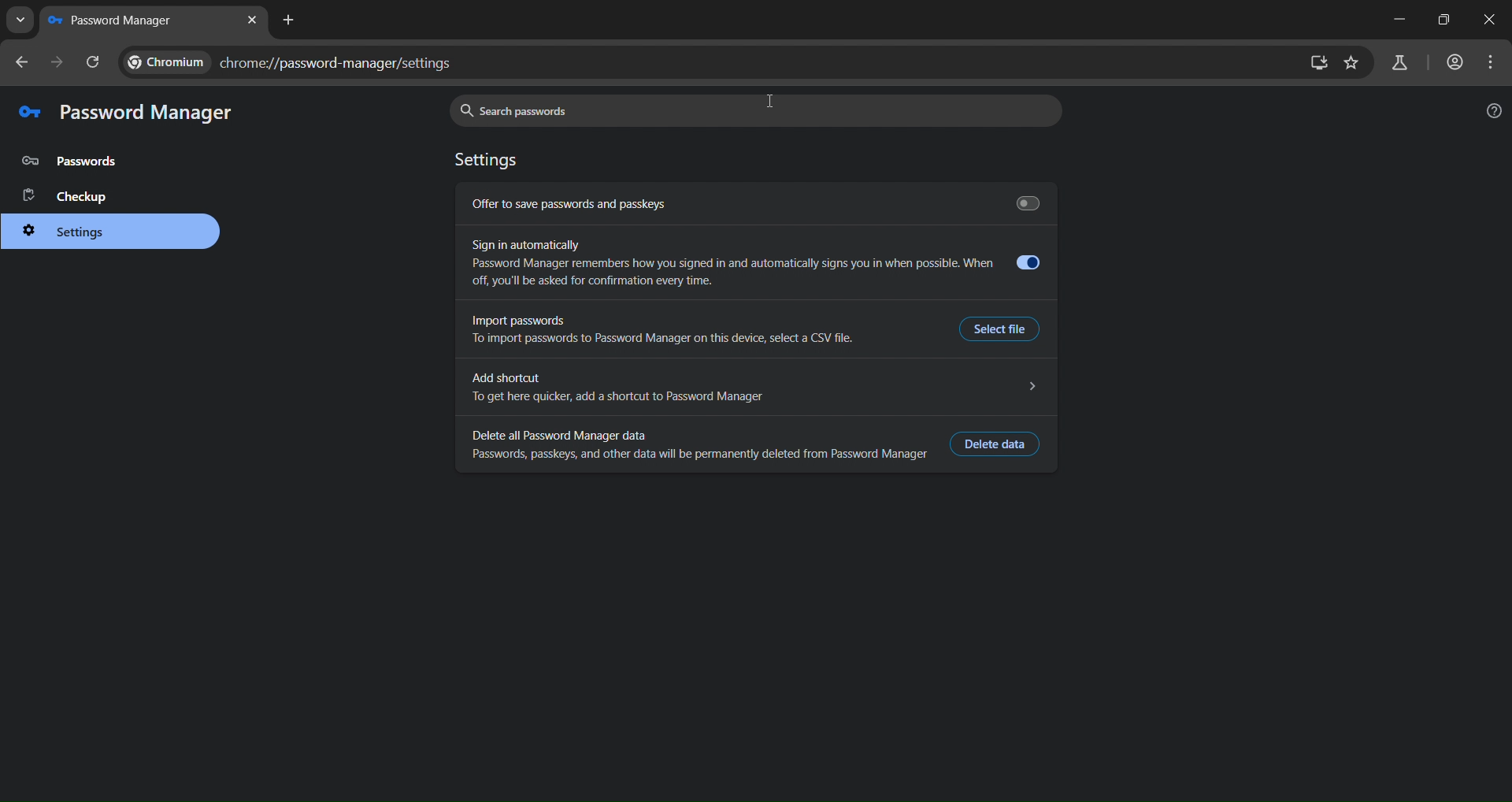  Describe the element at coordinates (1443, 20) in the screenshot. I see `restore down` at that location.